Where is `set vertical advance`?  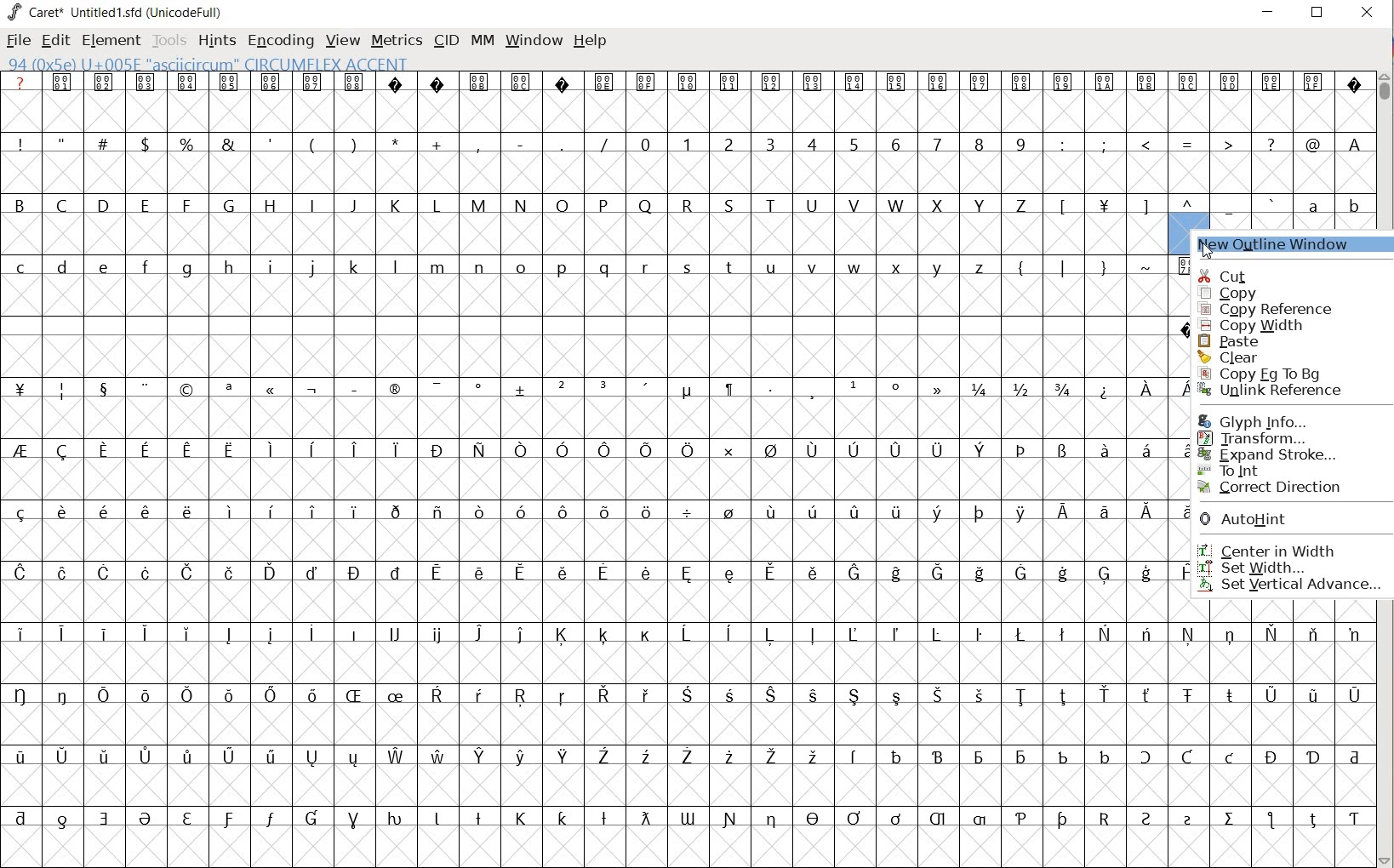
set vertical advance is located at coordinates (1290, 587).